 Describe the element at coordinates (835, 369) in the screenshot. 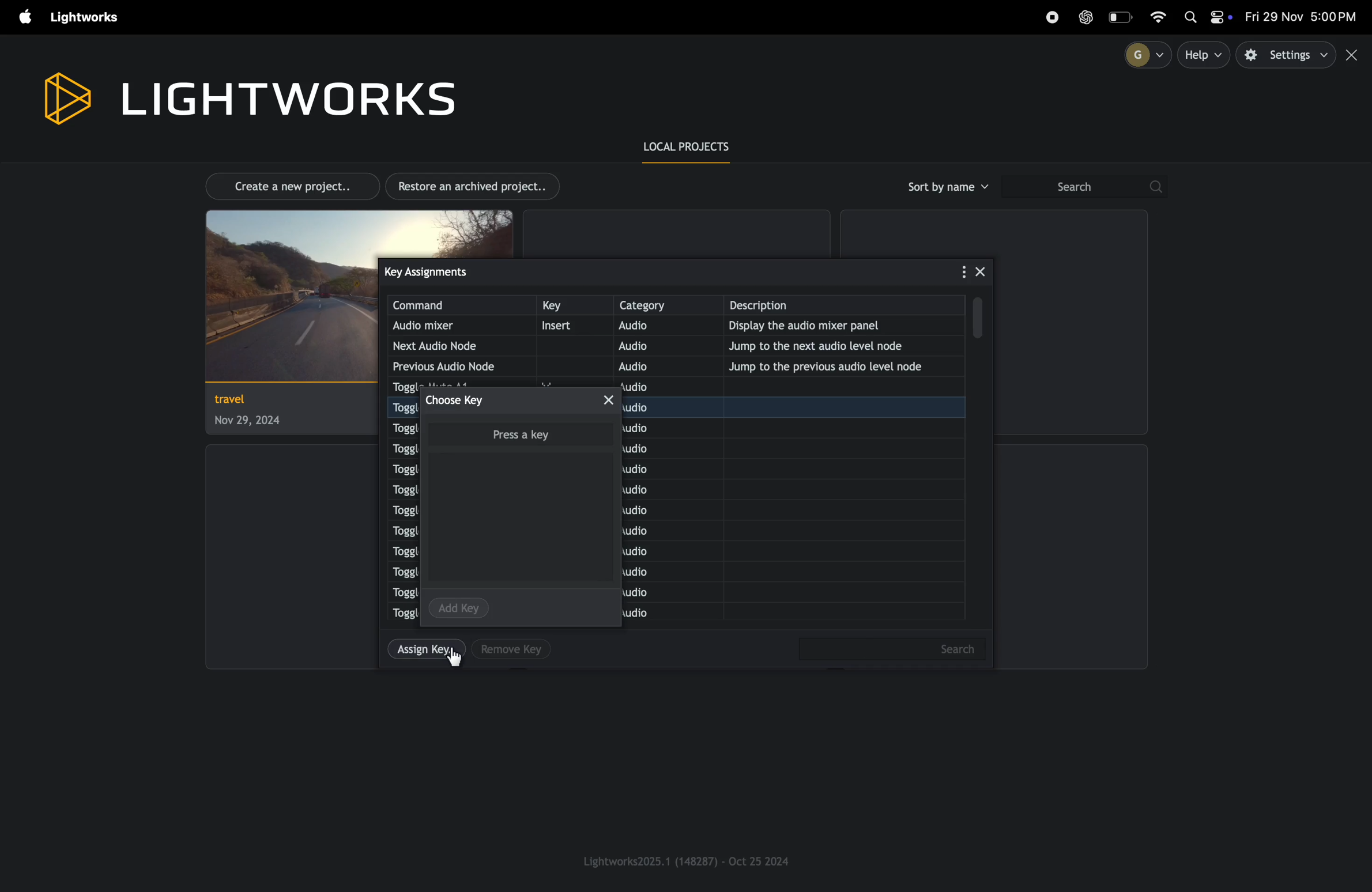

I see `jump to previous mode` at that location.